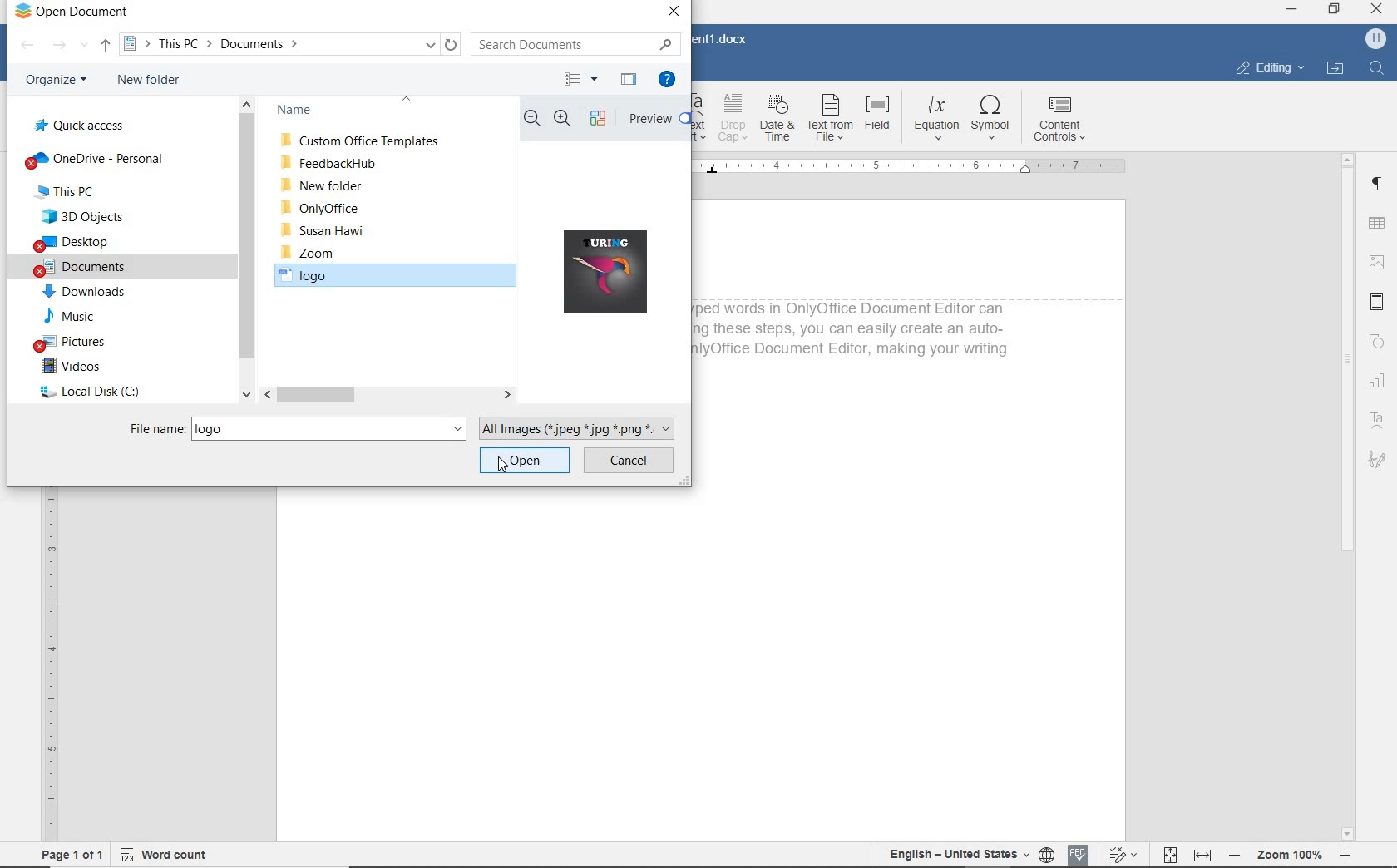 The image size is (1397, 868). I want to click on English — United States + ({[), so click(960, 855).